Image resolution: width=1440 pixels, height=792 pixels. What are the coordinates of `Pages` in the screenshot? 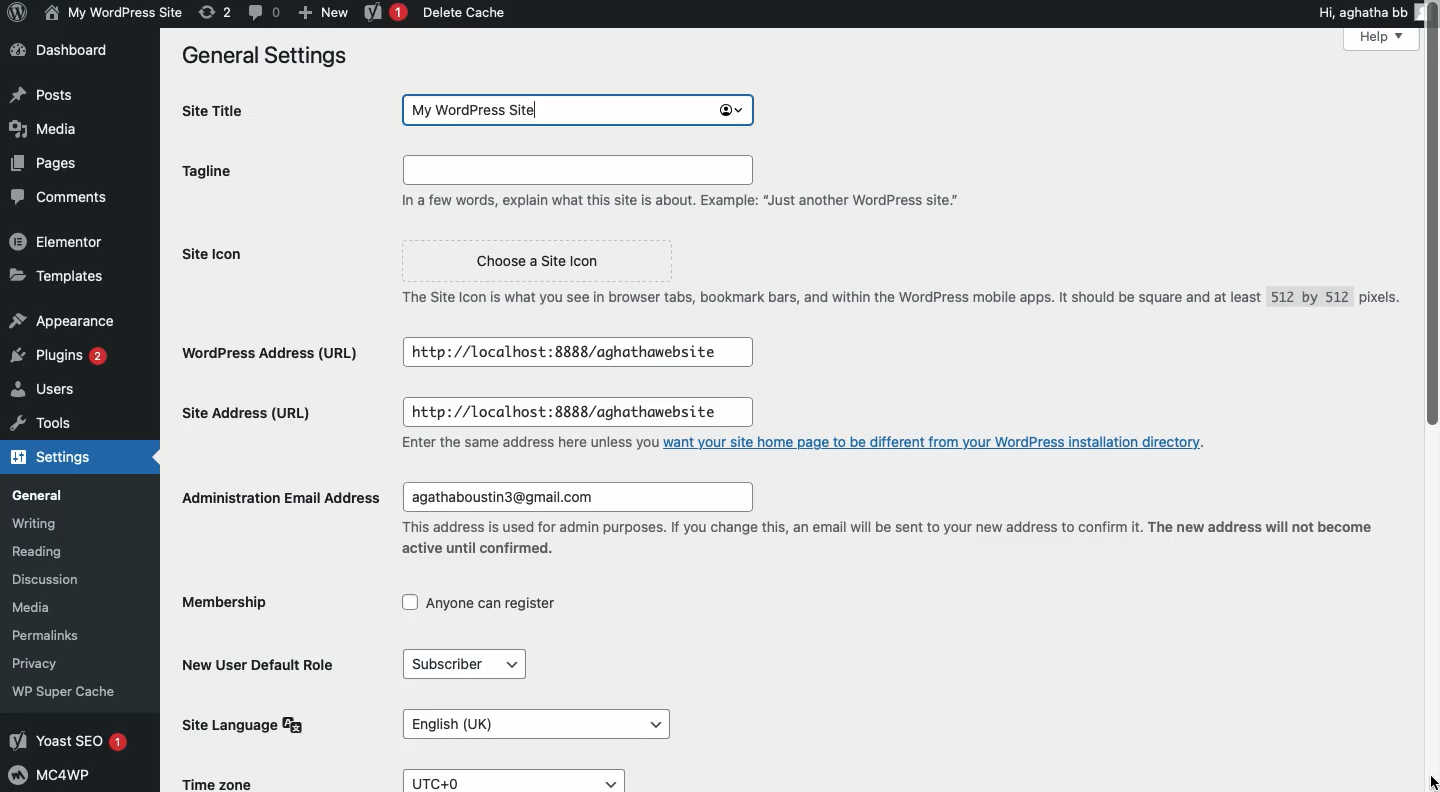 It's located at (46, 163).